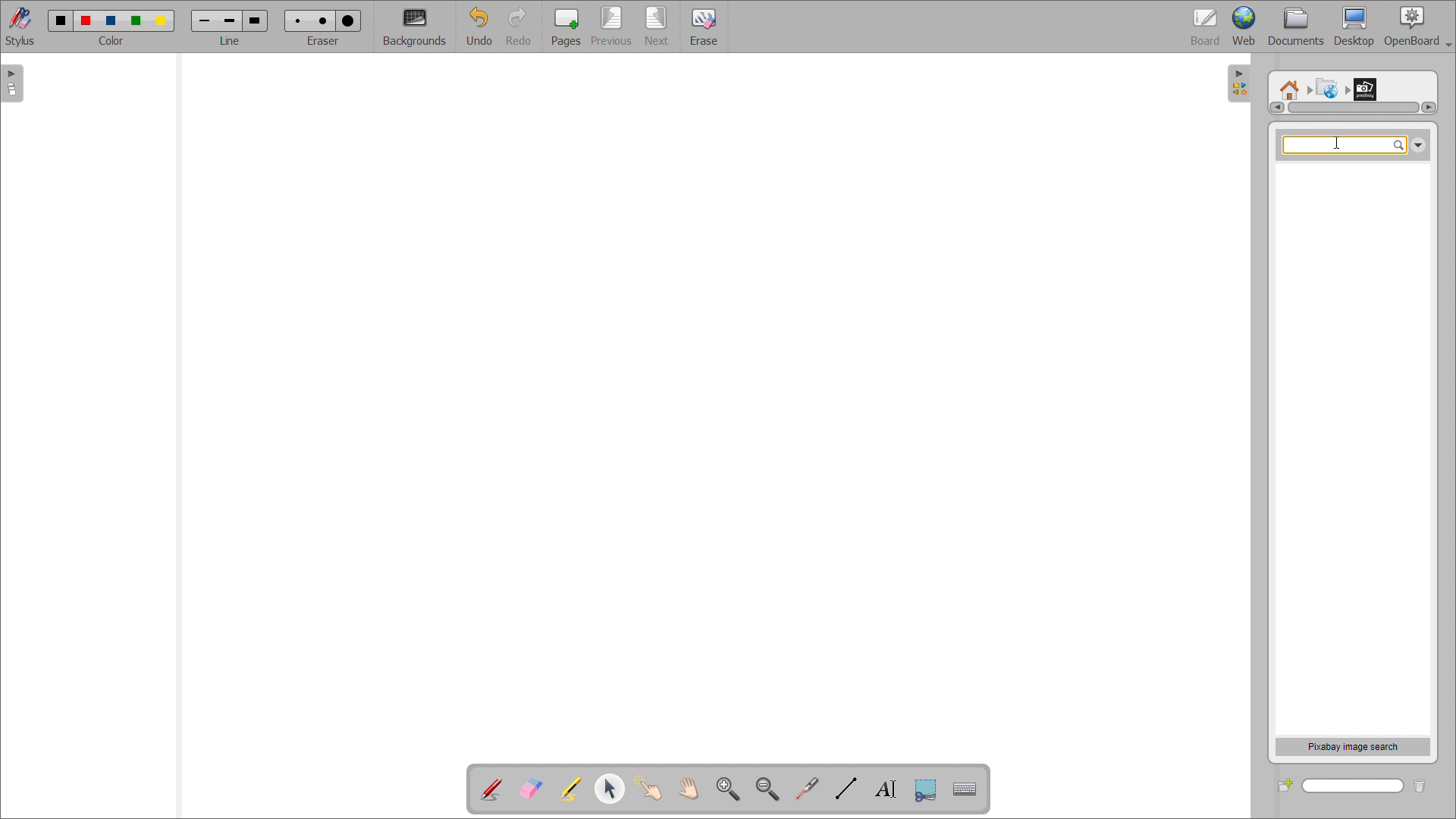 The width and height of the screenshot is (1456, 819). Describe the element at coordinates (1290, 84) in the screenshot. I see `Root` at that location.